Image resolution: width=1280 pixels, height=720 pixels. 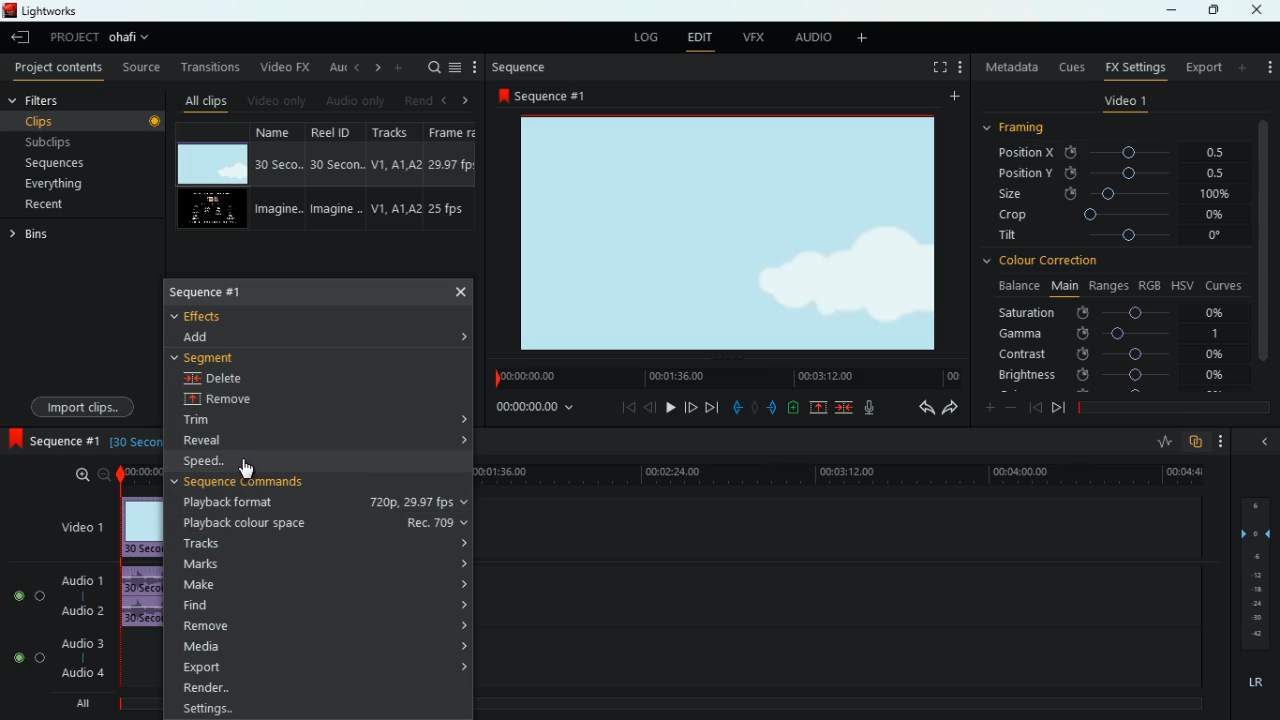 I want to click on minimize, so click(x=1264, y=440).